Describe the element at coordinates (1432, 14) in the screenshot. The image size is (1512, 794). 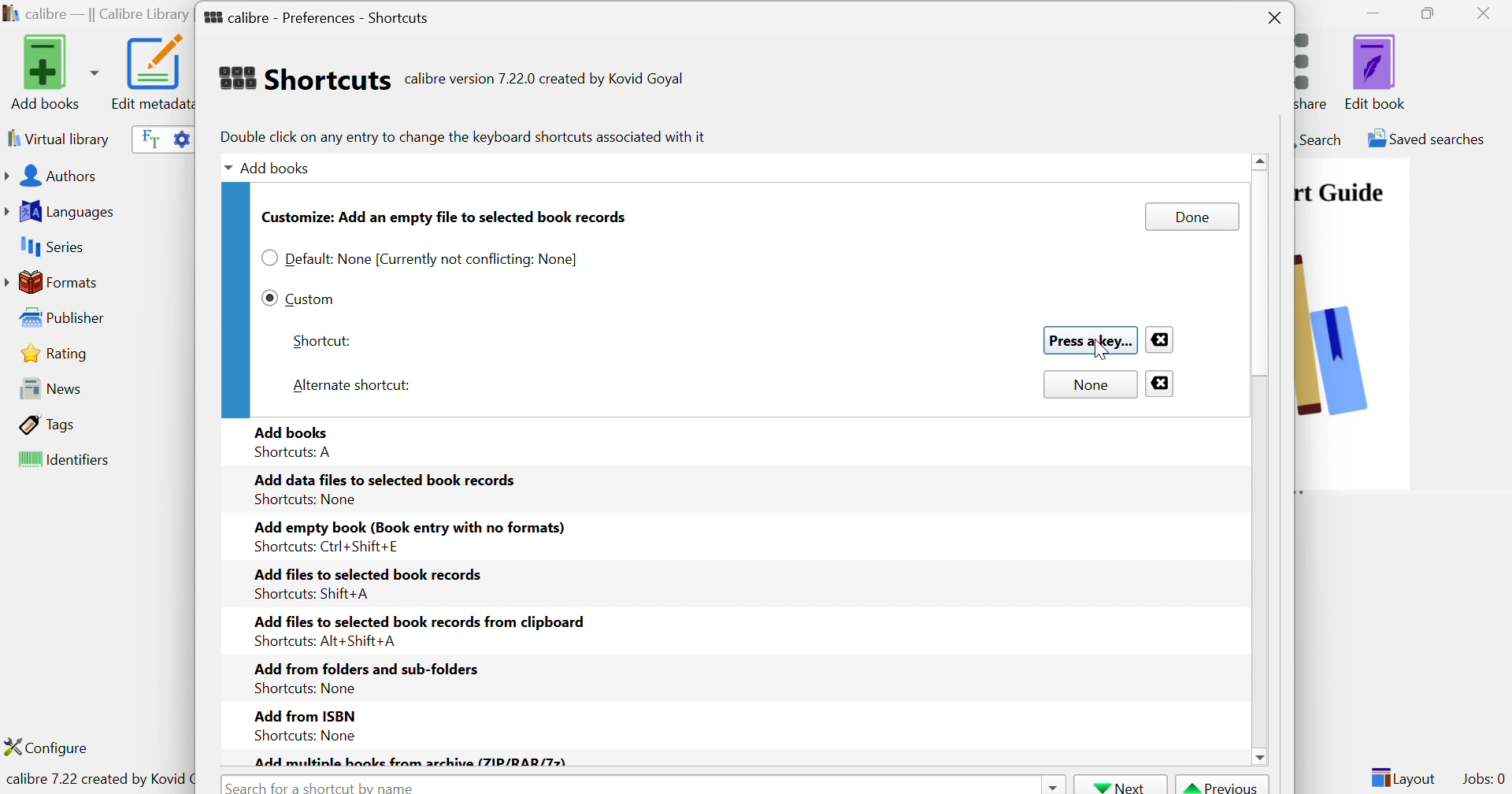
I see `Restore Down` at that location.